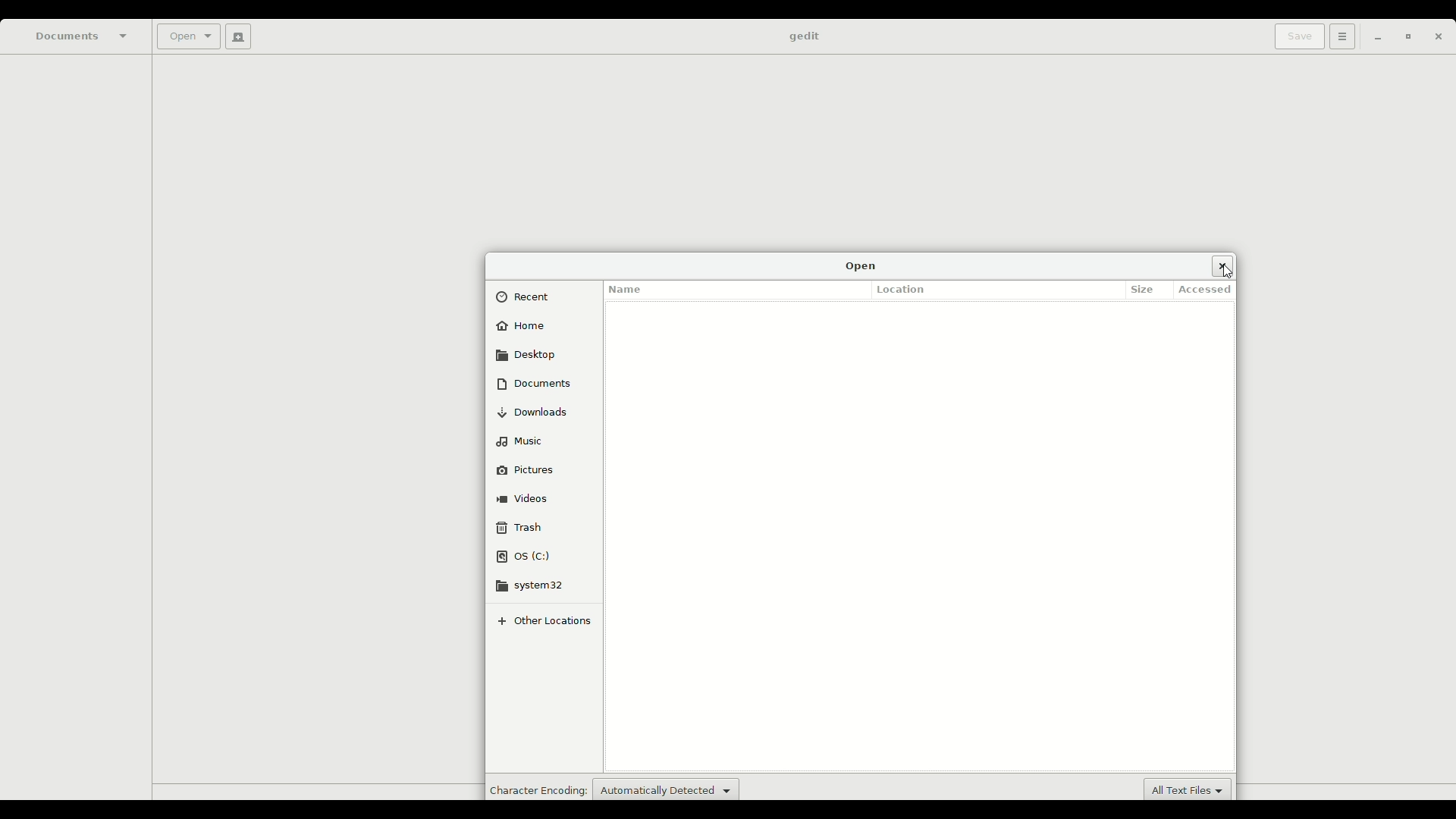 This screenshot has width=1456, height=819. I want to click on Recent, so click(529, 297).